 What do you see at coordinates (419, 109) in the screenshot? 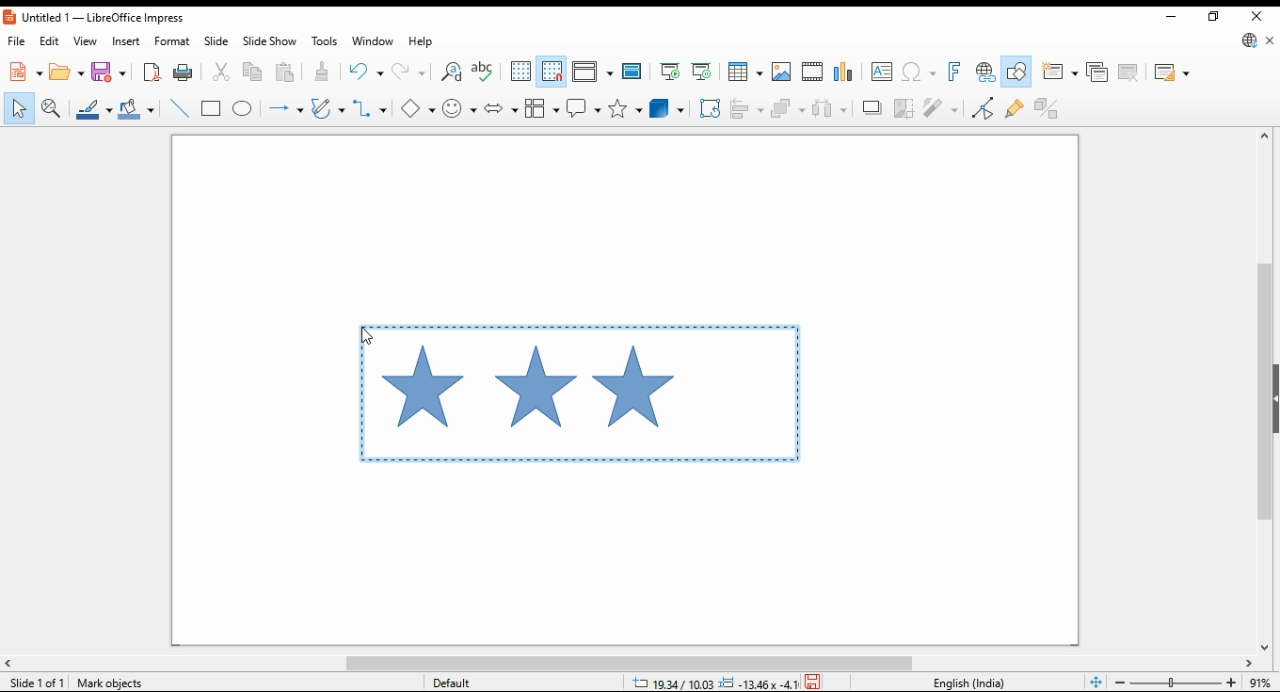
I see `simple shapes` at bounding box center [419, 109].